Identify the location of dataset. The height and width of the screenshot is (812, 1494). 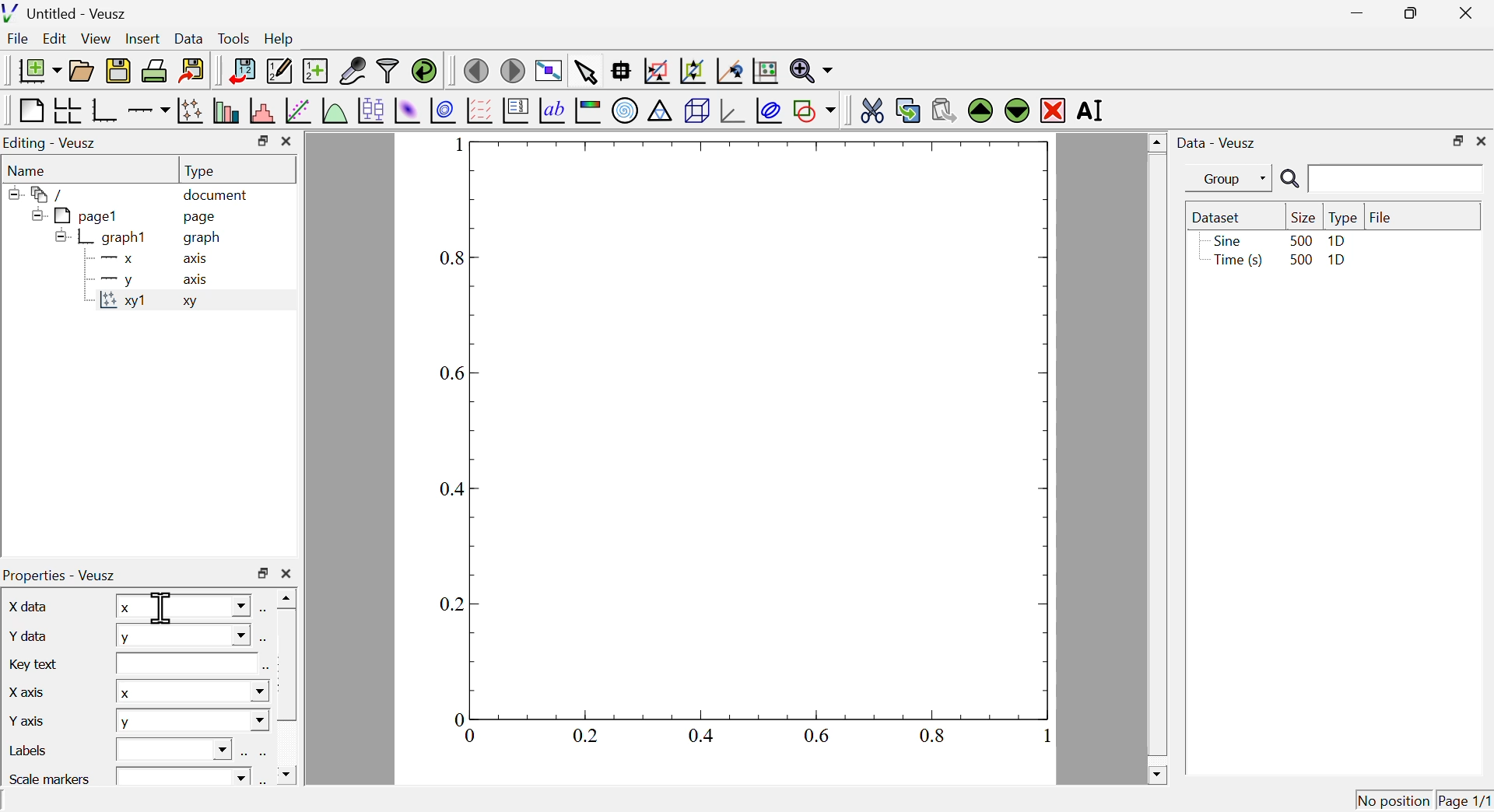
(1220, 217).